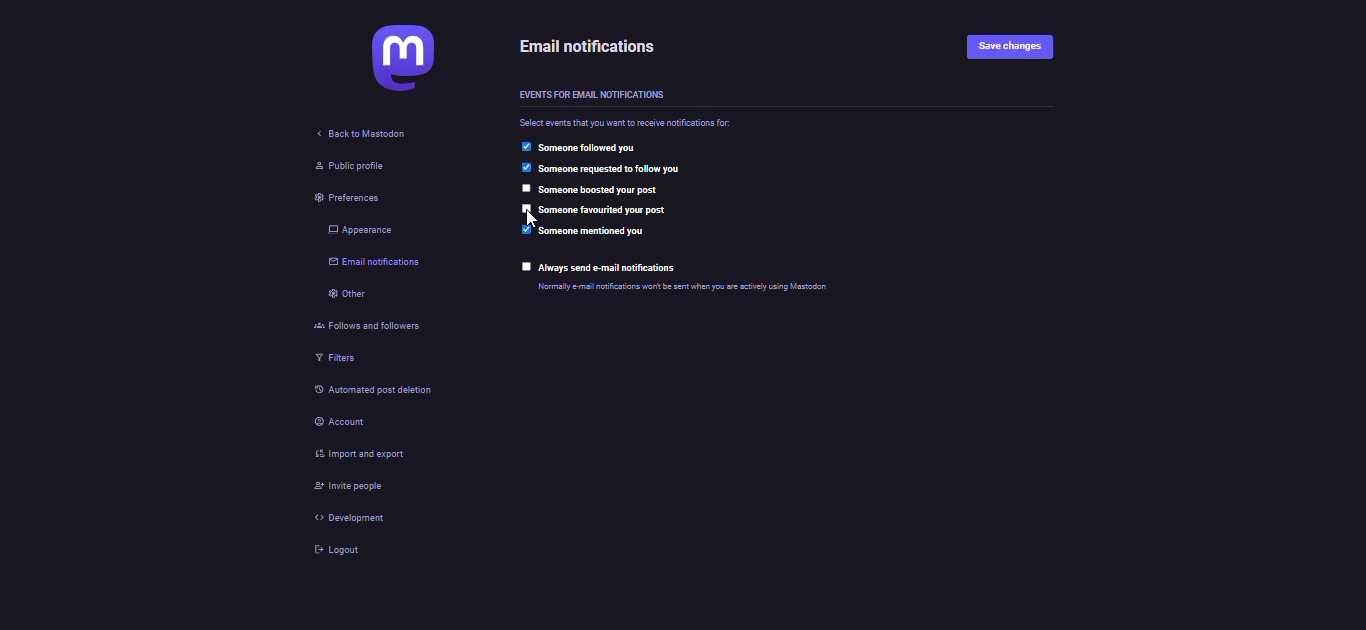  Describe the element at coordinates (593, 48) in the screenshot. I see `email notifications` at that location.